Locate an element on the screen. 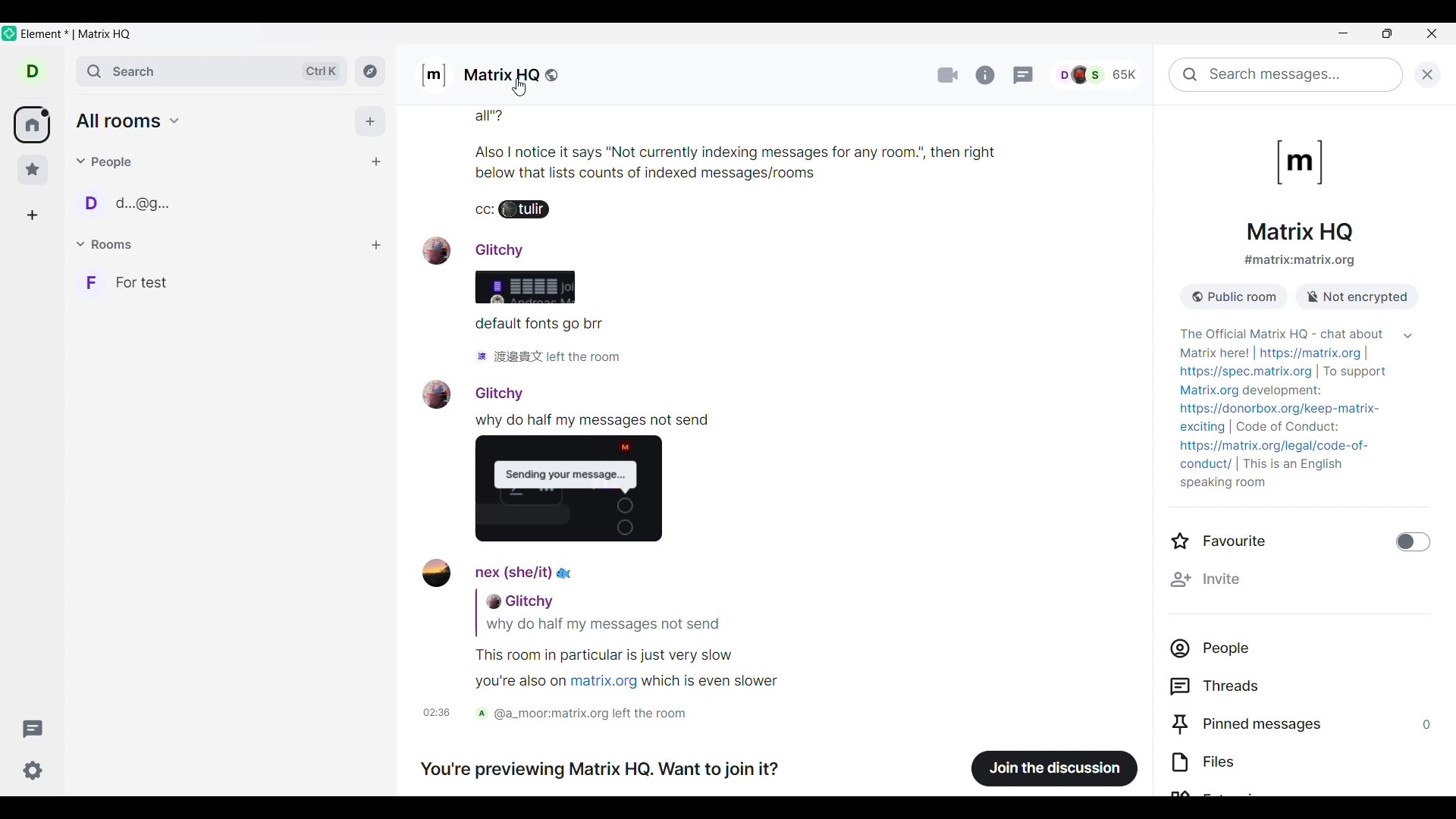 Image resolution: width=1456 pixels, height=819 pixels. room options is located at coordinates (376, 246).